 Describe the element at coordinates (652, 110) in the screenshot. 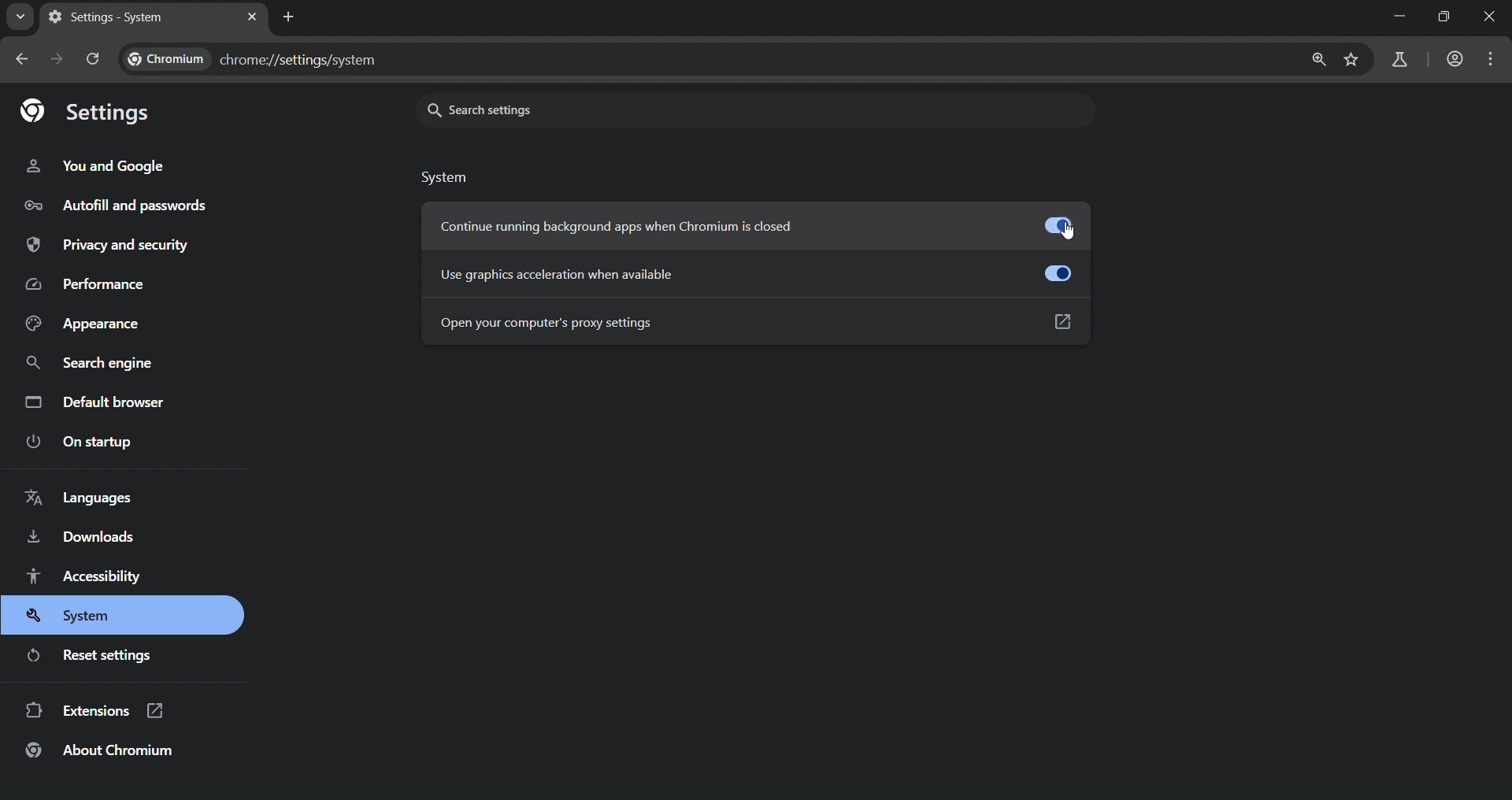

I see `search settings` at that location.